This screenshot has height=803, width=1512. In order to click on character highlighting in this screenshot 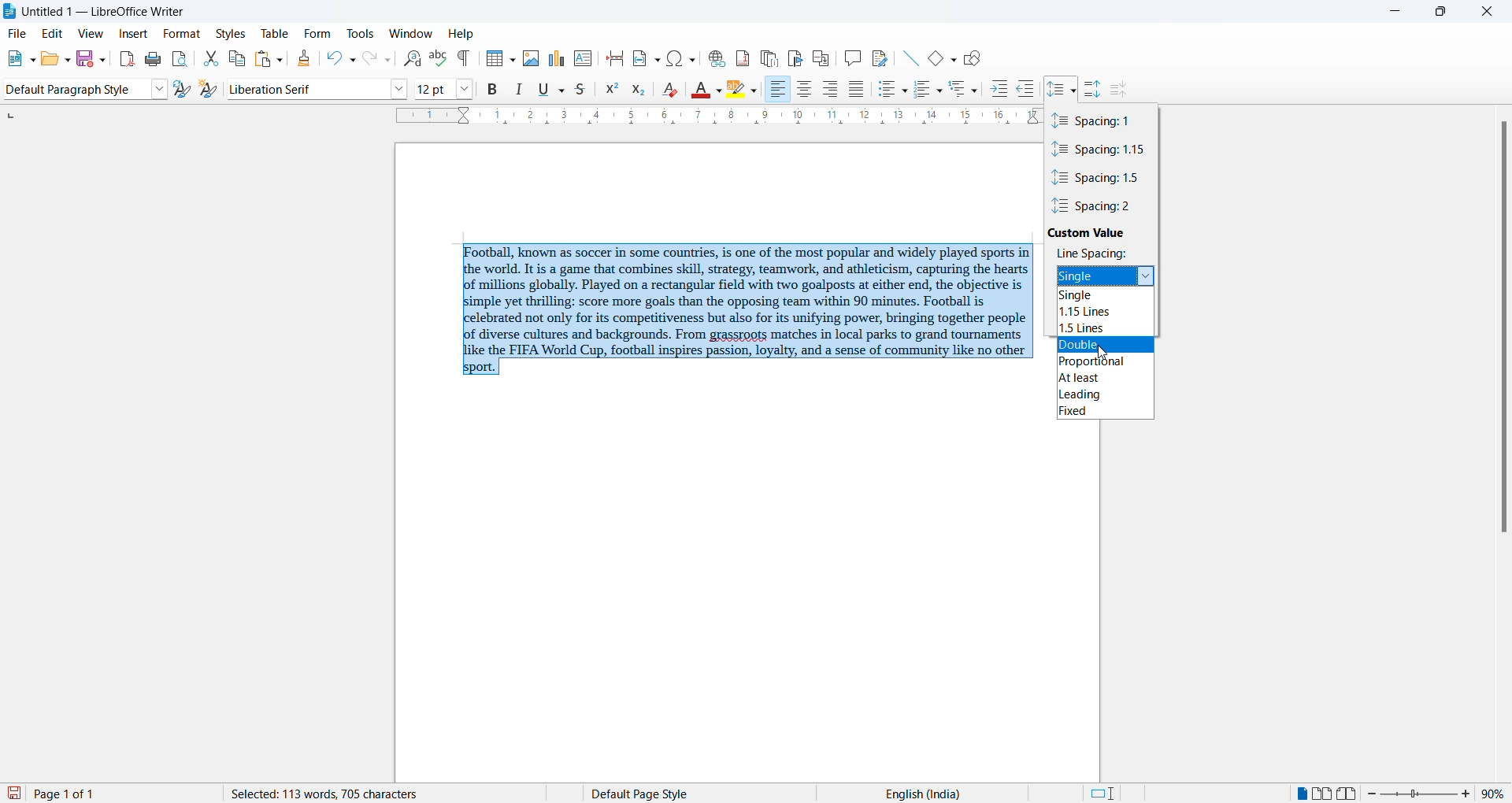, I will do `click(738, 90)`.